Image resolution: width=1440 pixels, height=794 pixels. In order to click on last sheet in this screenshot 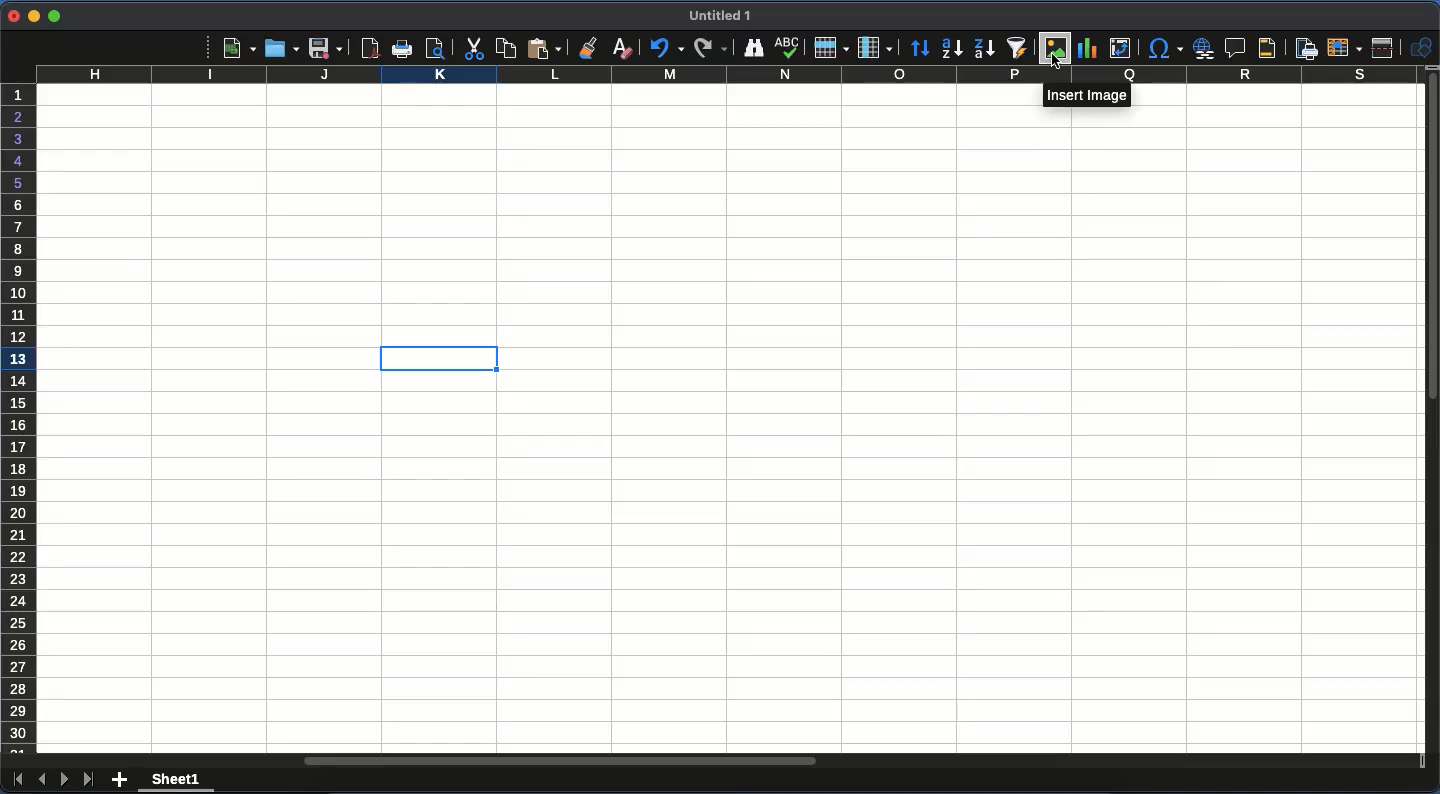, I will do `click(90, 780)`.